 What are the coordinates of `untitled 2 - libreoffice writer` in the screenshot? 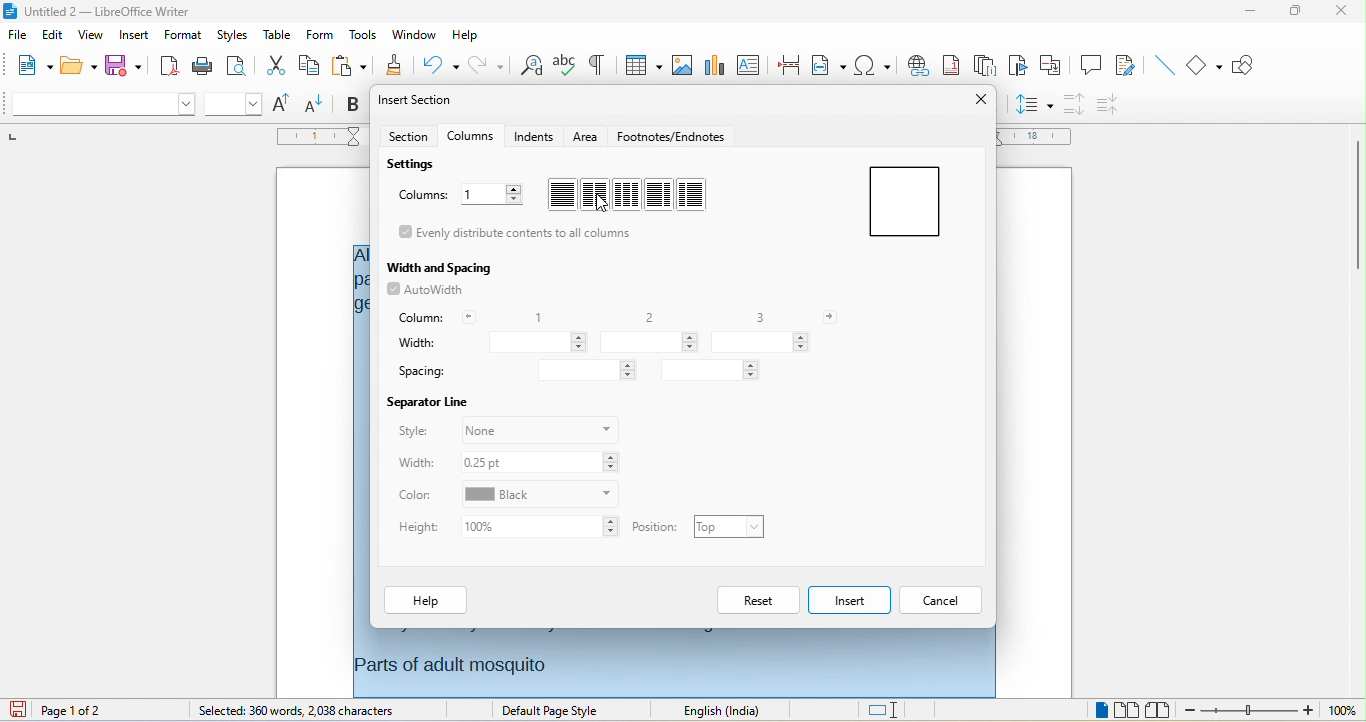 It's located at (100, 10).